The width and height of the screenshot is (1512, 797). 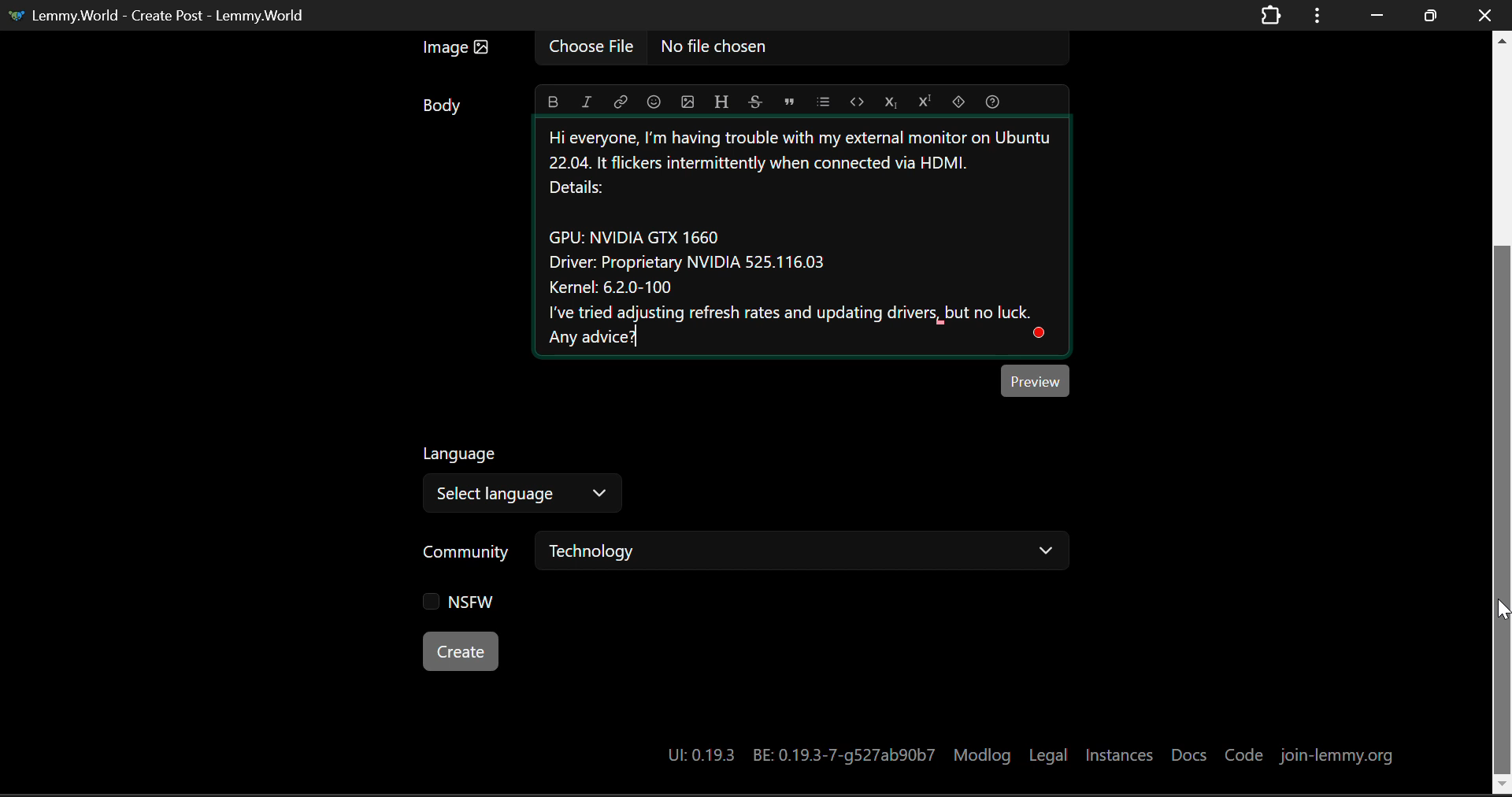 What do you see at coordinates (754, 99) in the screenshot?
I see `Strikethrough` at bounding box center [754, 99].